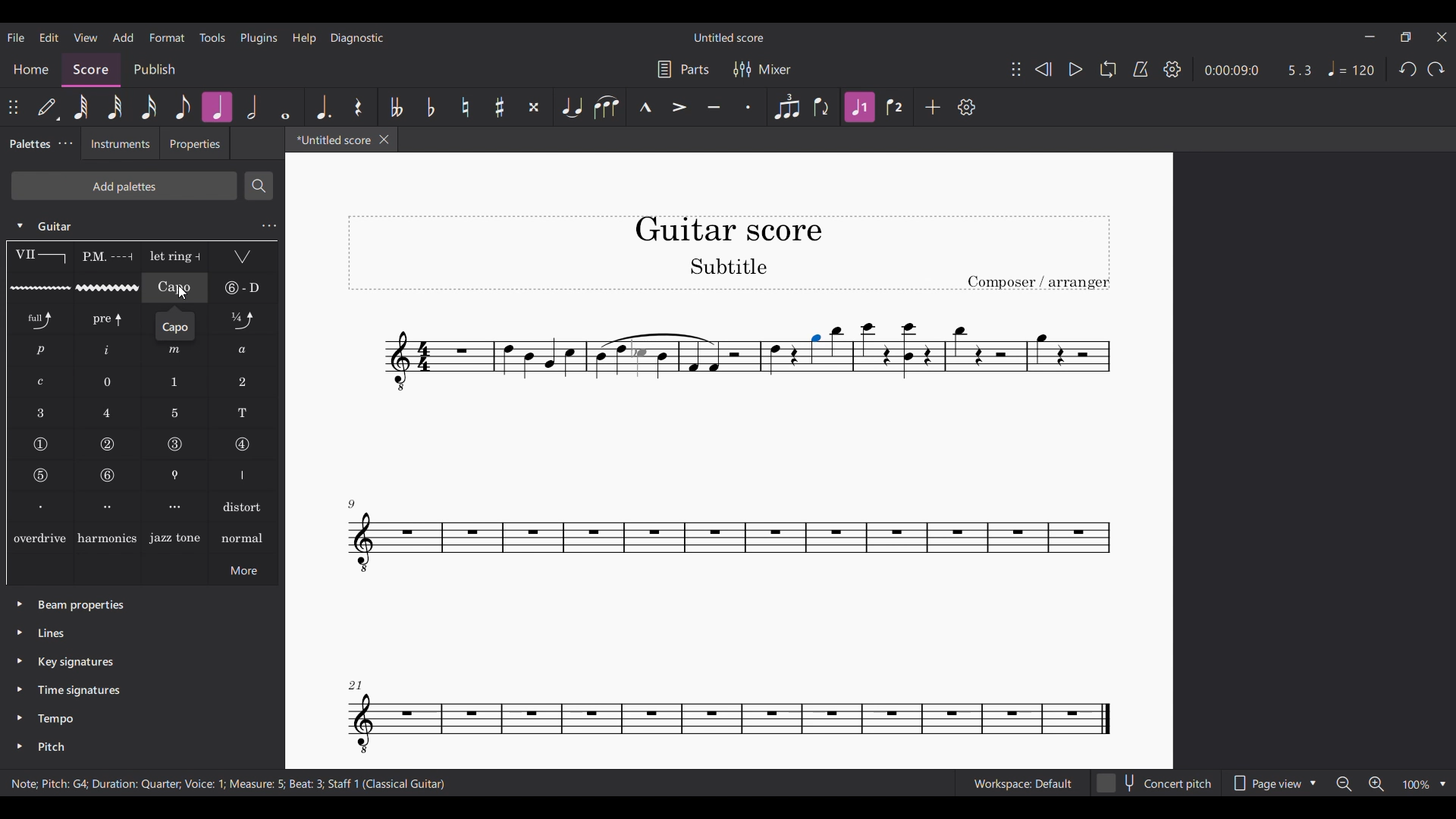 Image resolution: width=1456 pixels, height=819 pixels. What do you see at coordinates (229, 783) in the screenshot?
I see `Description of current selection` at bounding box center [229, 783].